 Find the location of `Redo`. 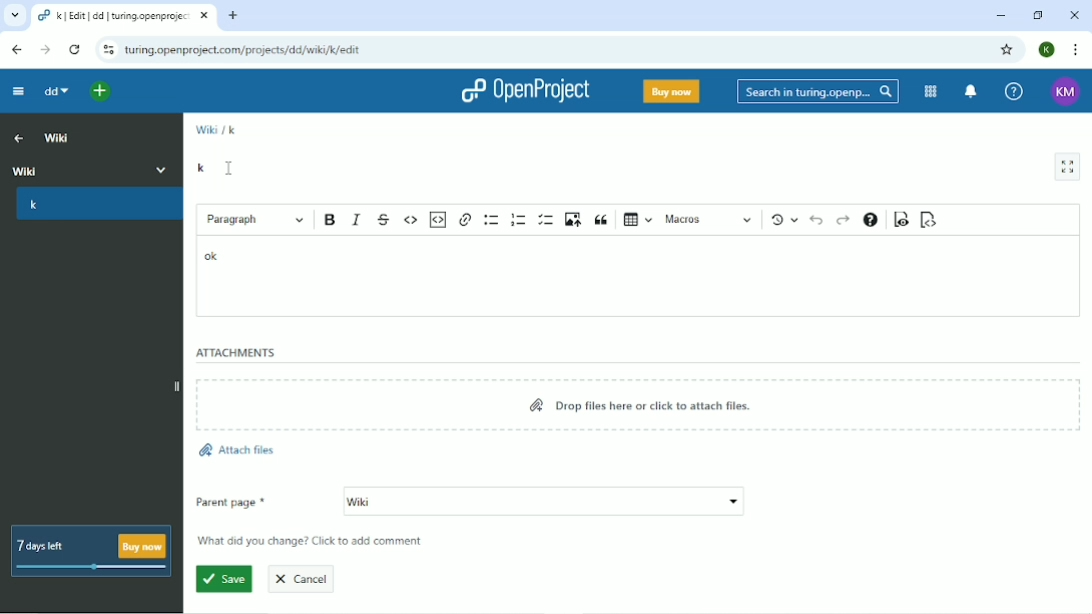

Redo is located at coordinates (842, 221).